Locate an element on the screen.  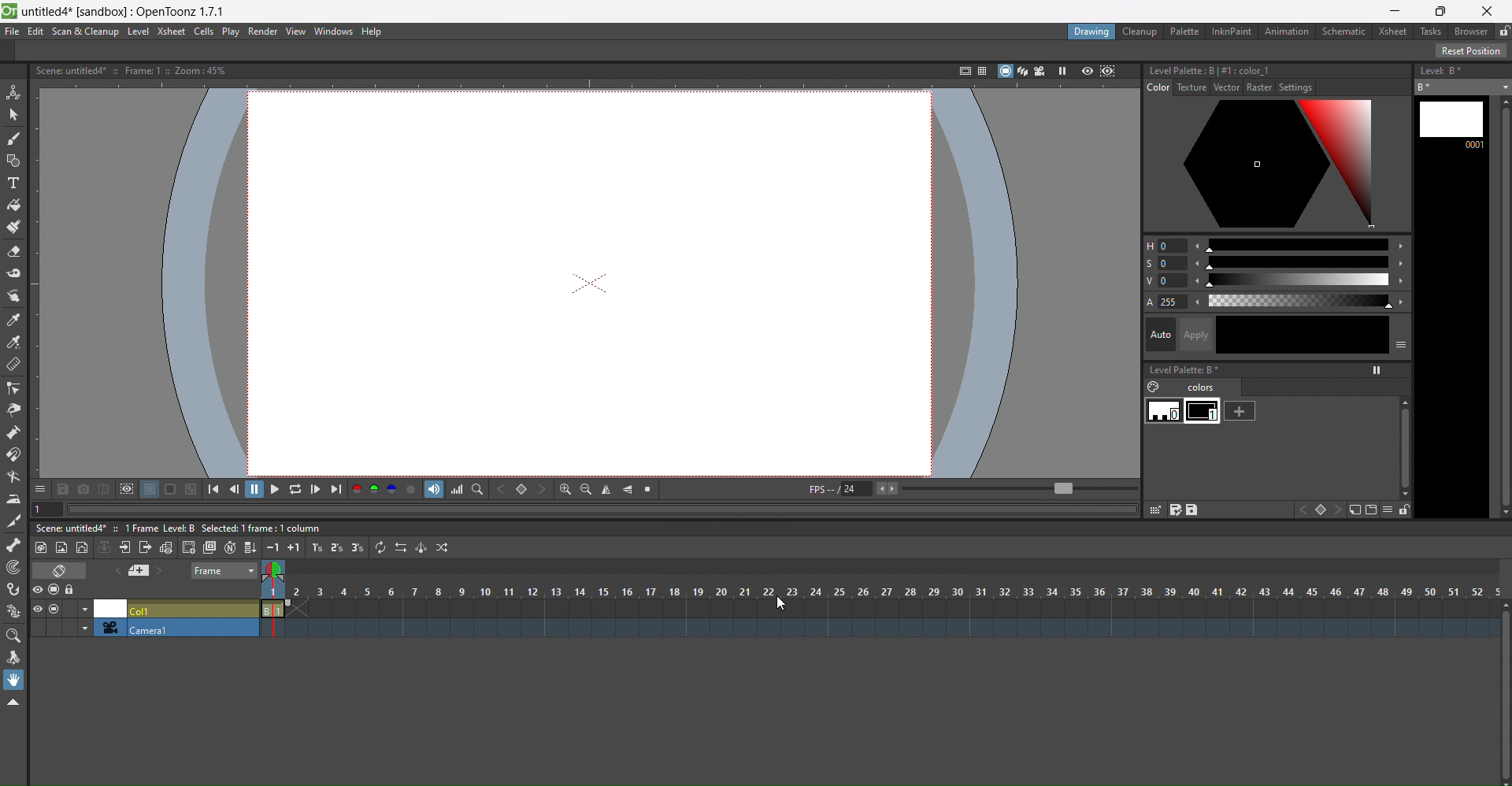
fps is located at coordinates (972, 490).